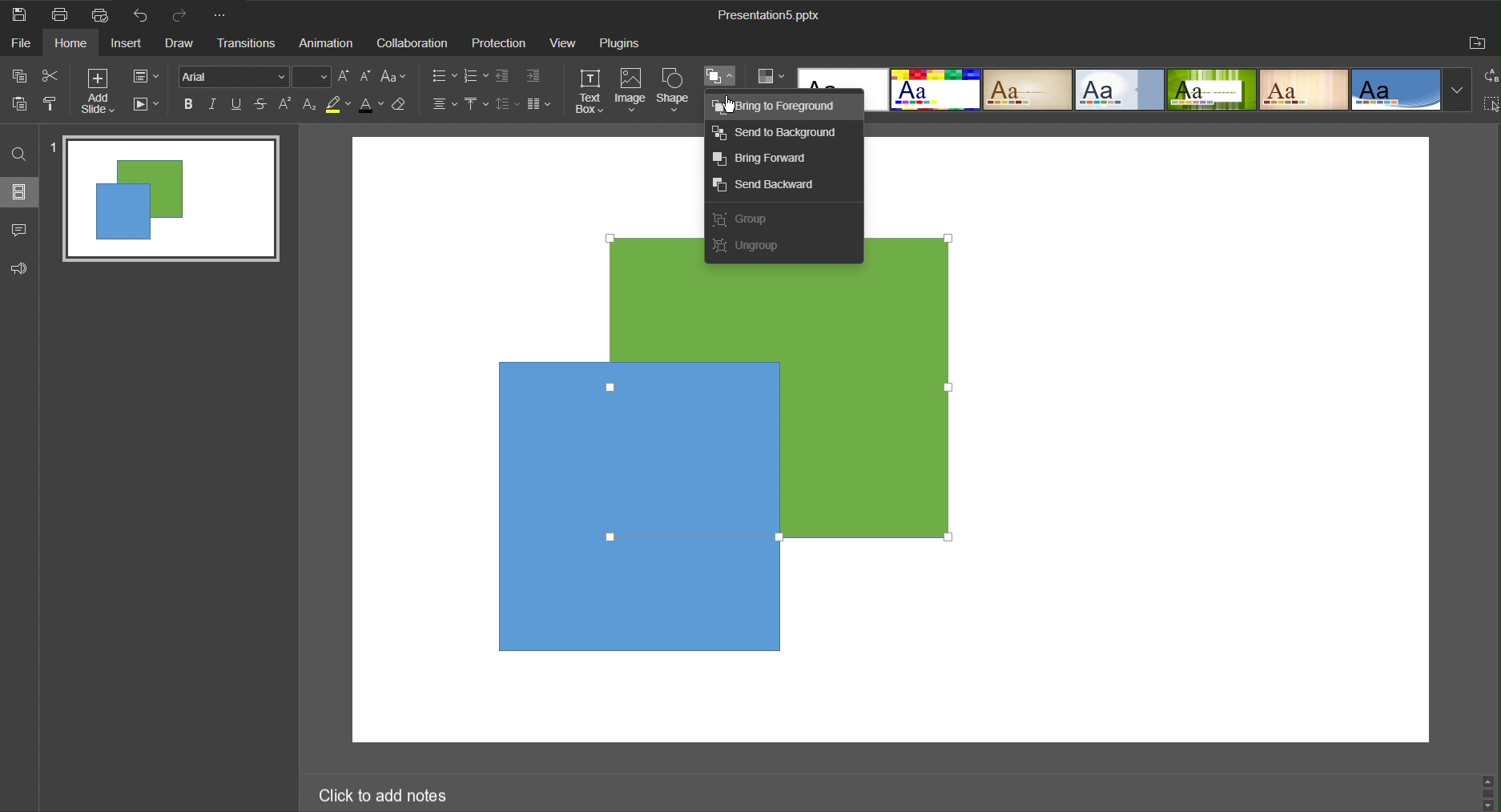  Describe the element at coordinates (17, 74) in the screenshot. I see `Copy` at that location.